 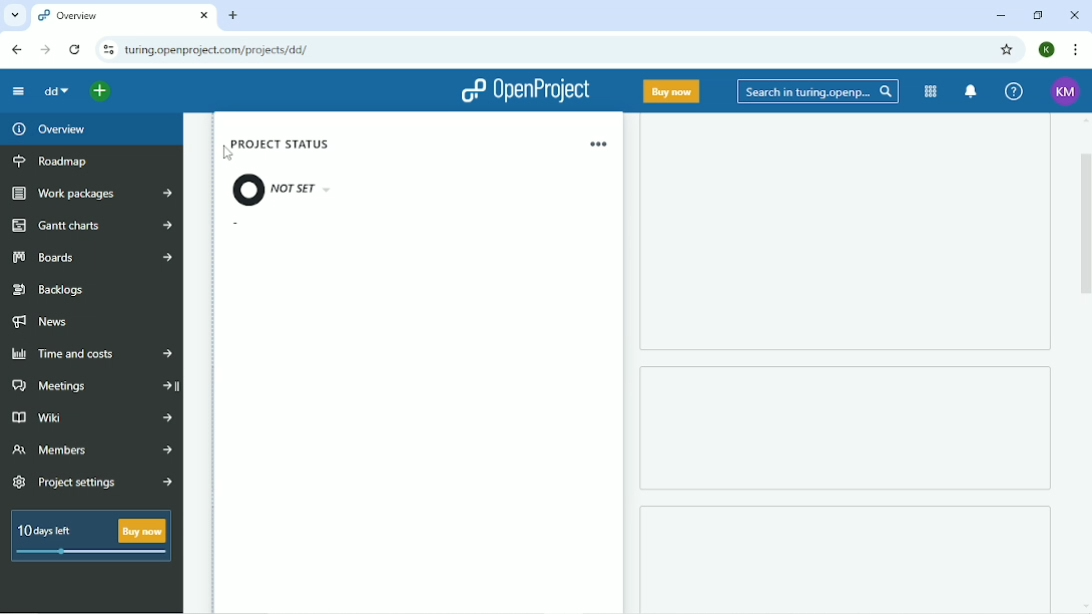 I want to click on To notification center, so click(x=970, y=91).